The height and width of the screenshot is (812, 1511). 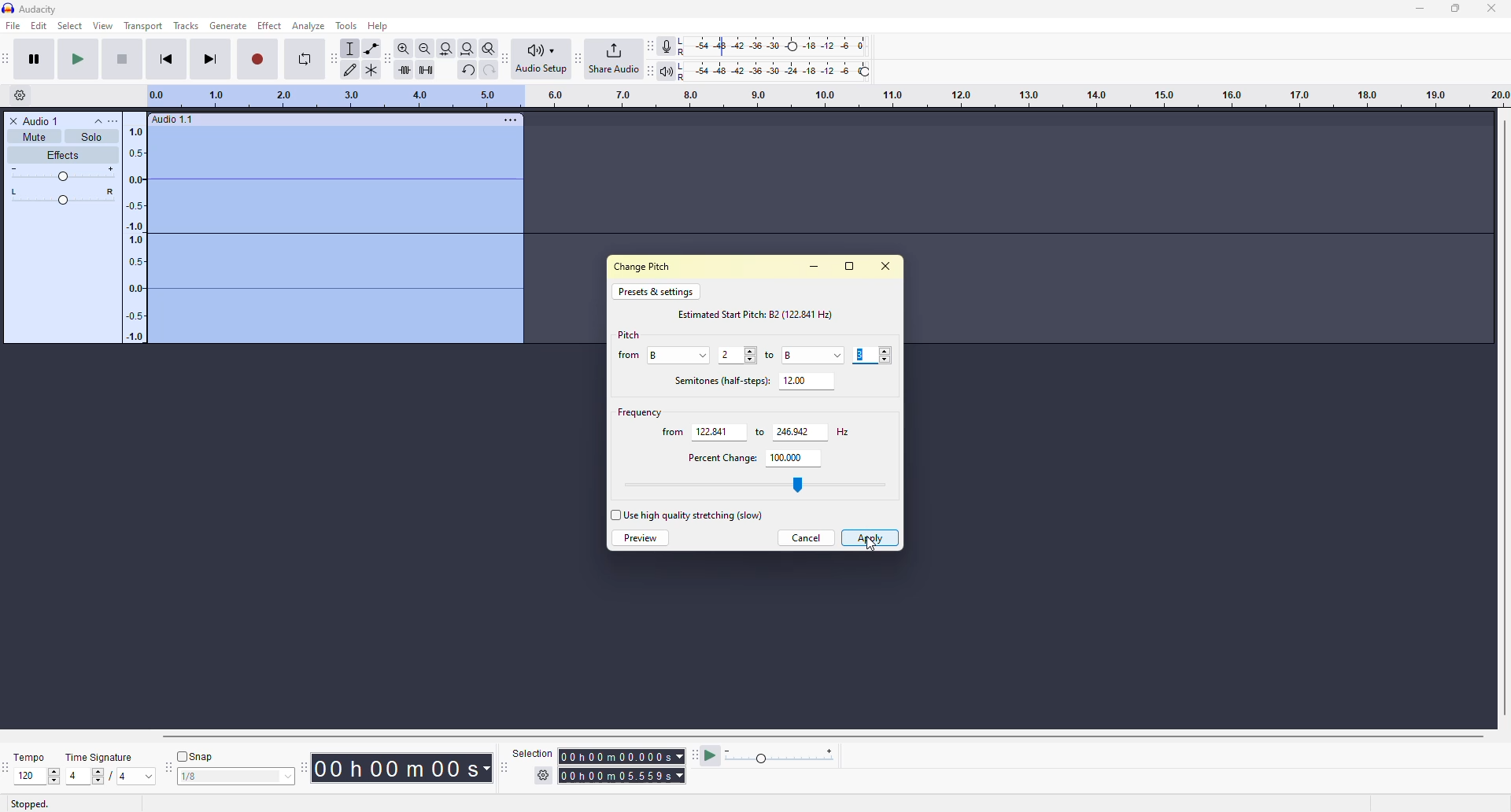 I want to click on change pitch, so click(x=645, y=265).